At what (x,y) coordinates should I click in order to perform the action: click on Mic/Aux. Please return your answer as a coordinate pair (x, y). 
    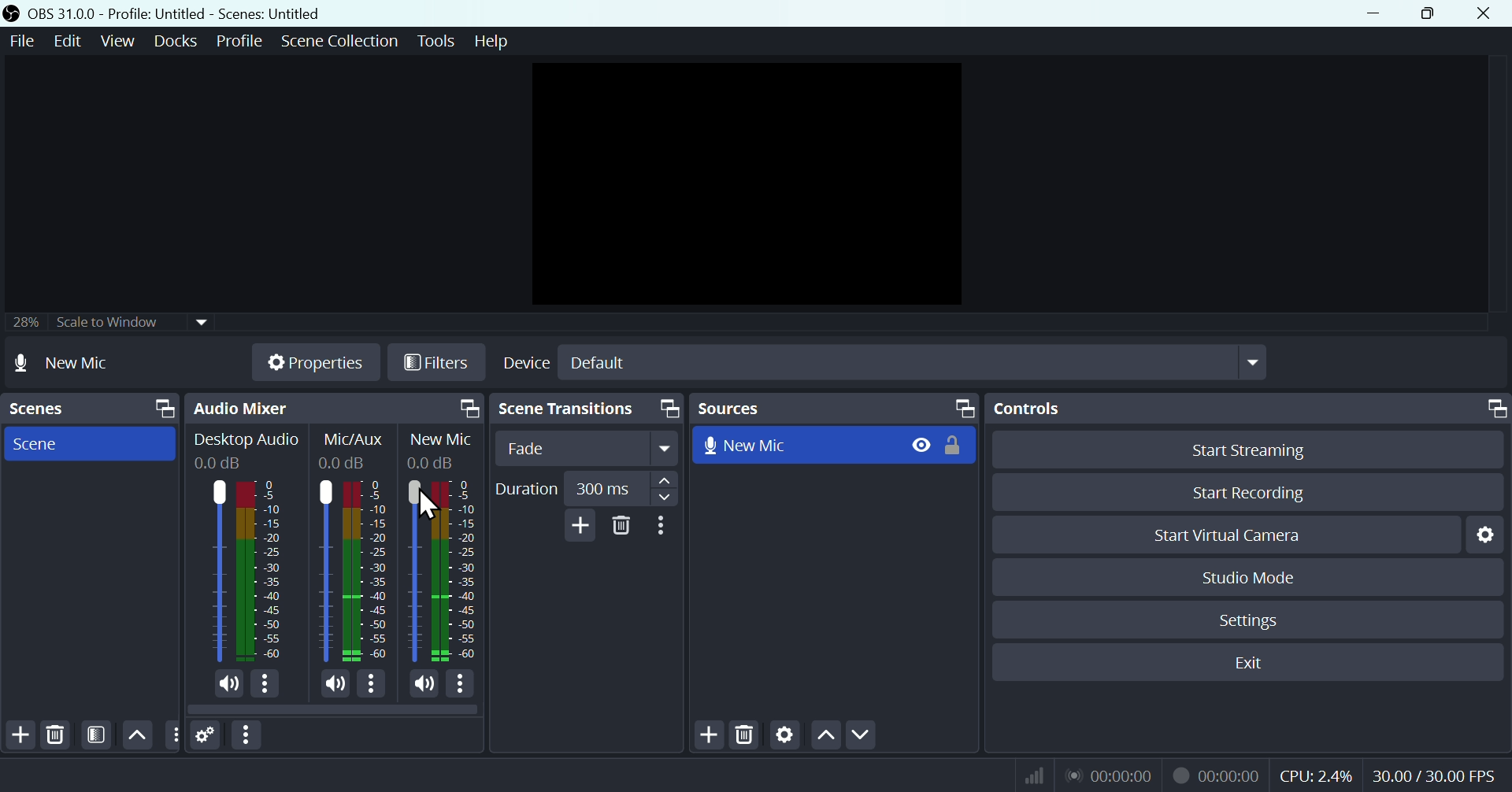
    Looking at the image, I should click on (366, 570).